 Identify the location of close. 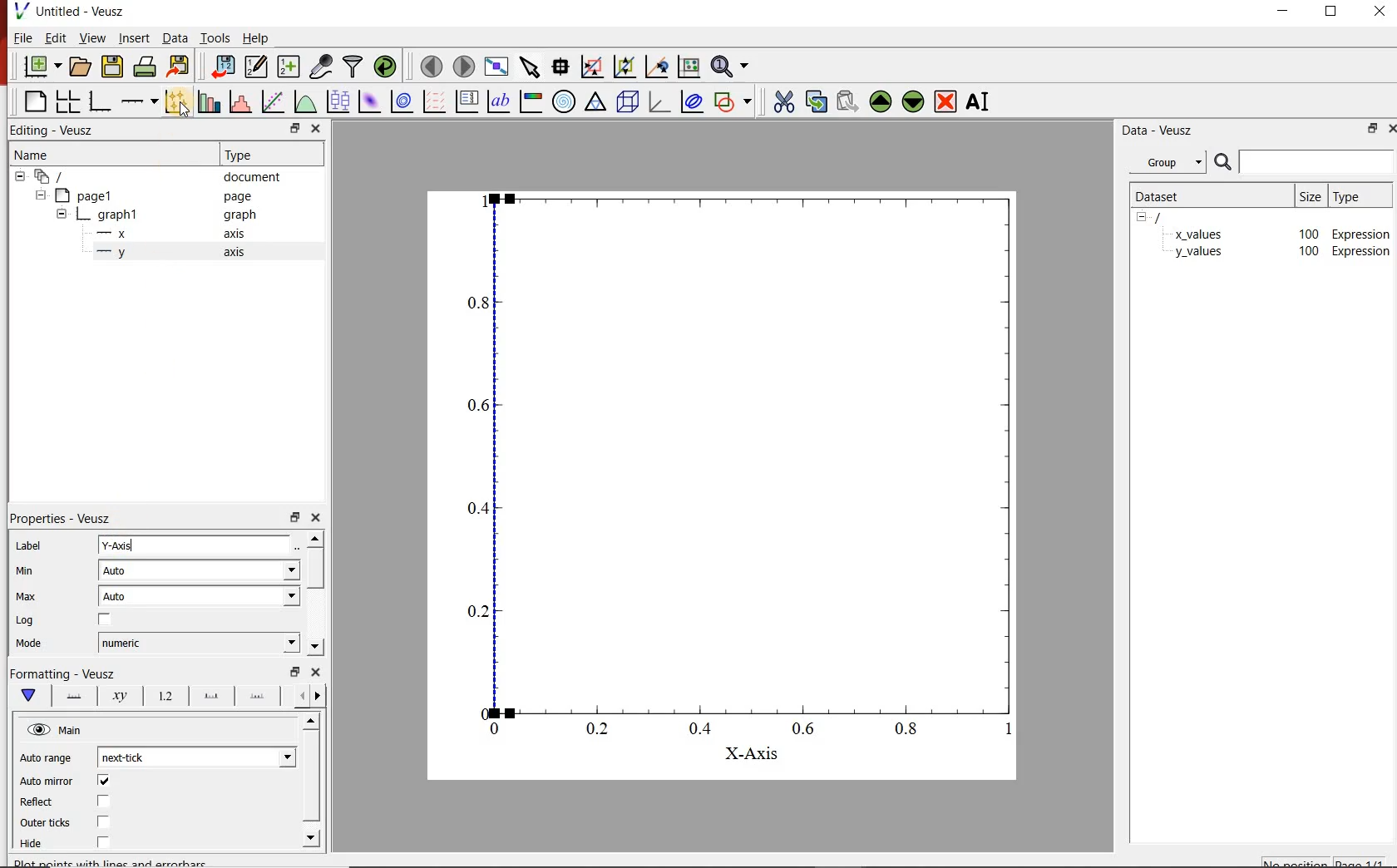
(317, 128).